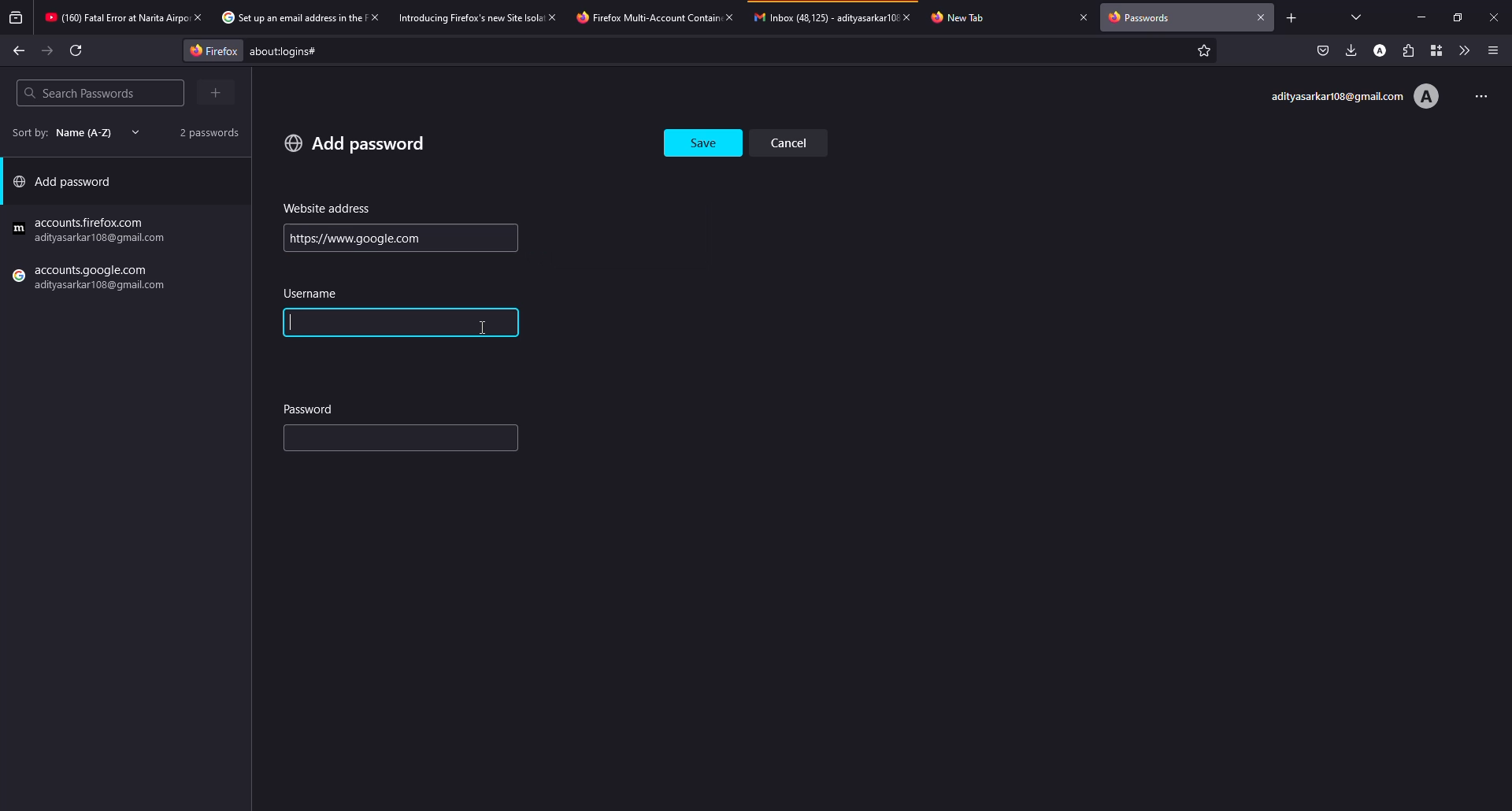 The height and width of the screenshot is (811, 1512). Describe the element at coordinates (414, 51) in the screenshot. I see `about` at that location.